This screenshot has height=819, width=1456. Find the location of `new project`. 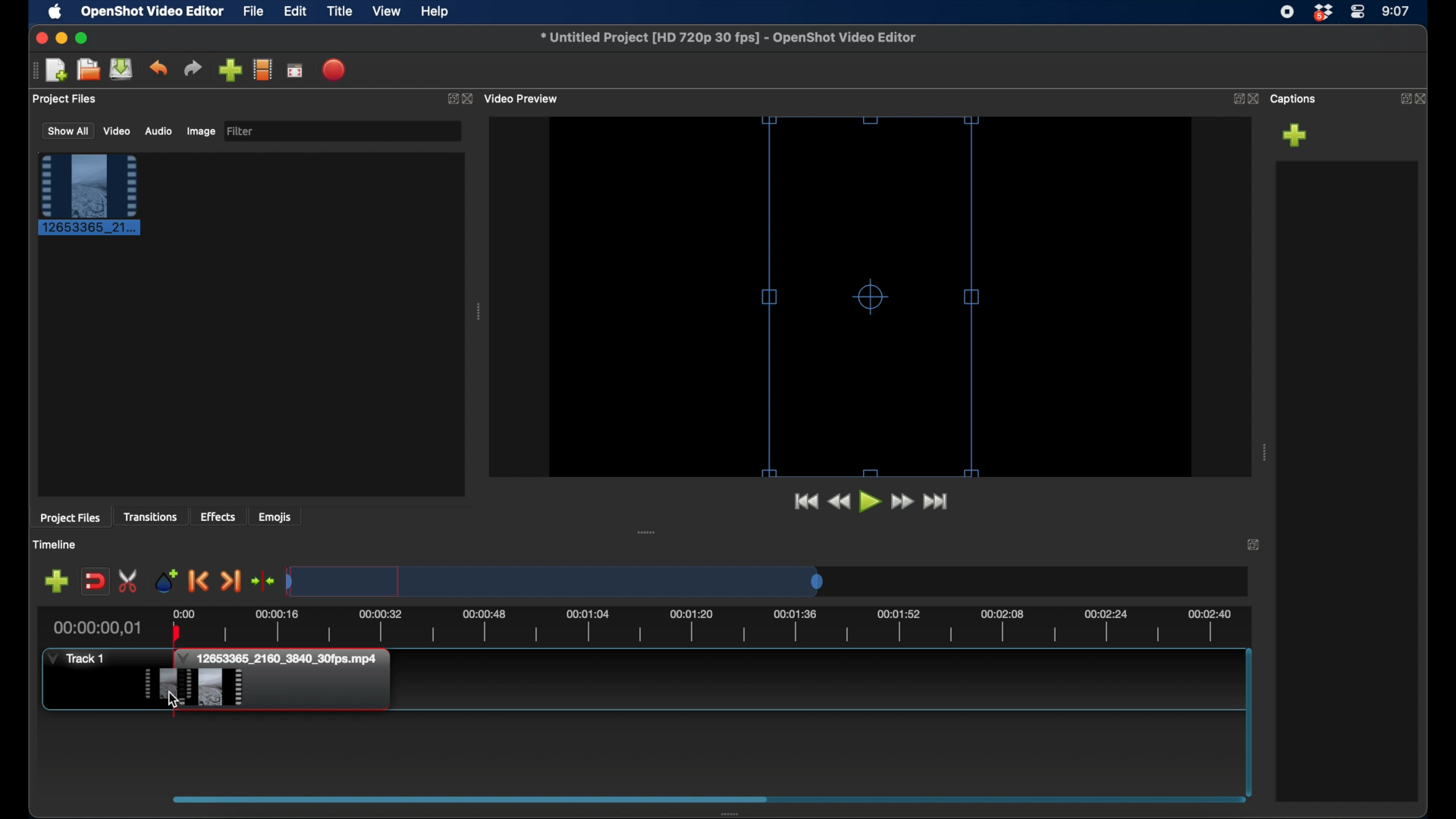

new project is located at coordinates (57, 69).